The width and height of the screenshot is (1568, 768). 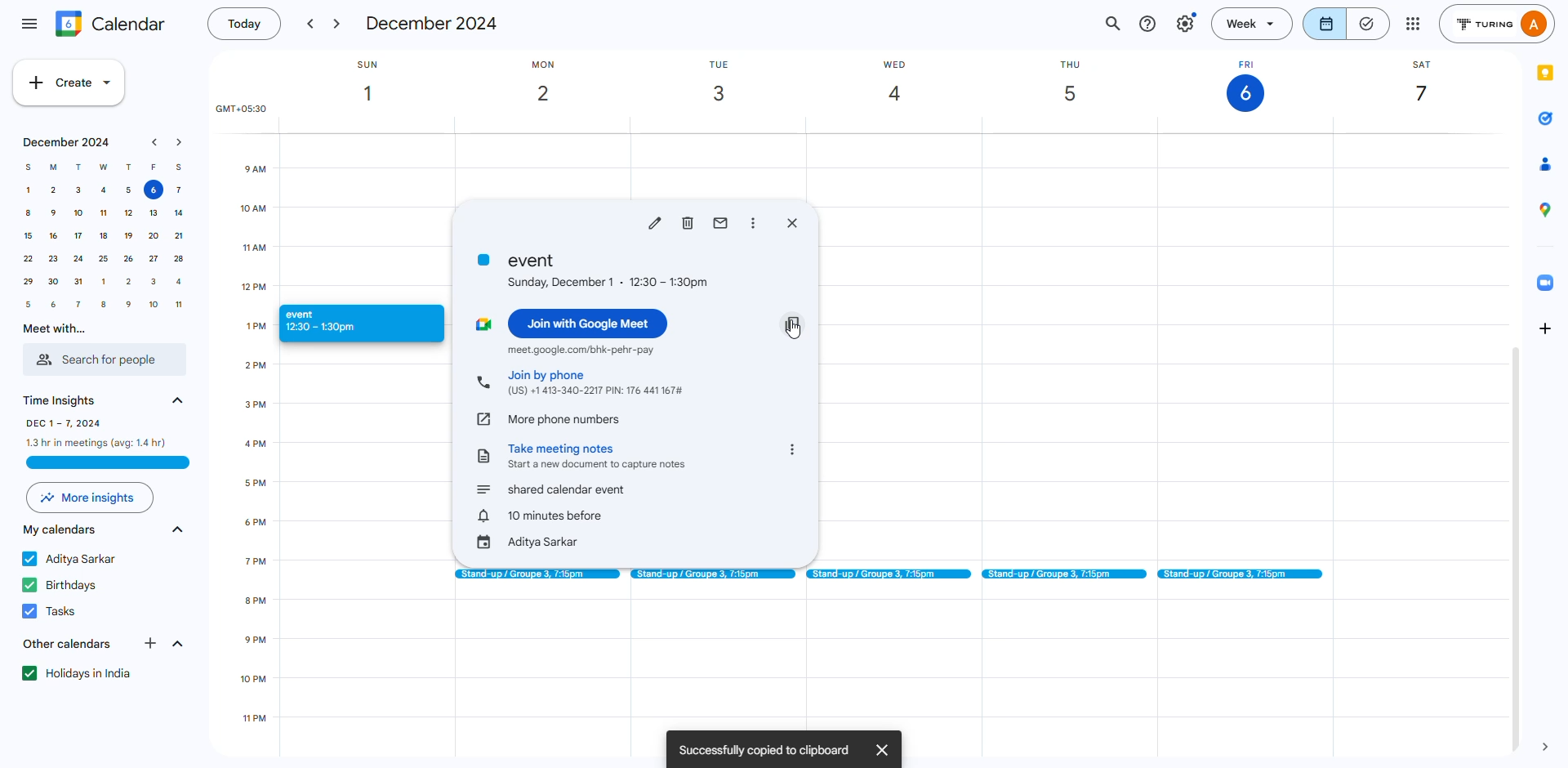 What do you see at coordinates (176, 400) in the screenshot?
I see `see` at bounding box center [176, 400].